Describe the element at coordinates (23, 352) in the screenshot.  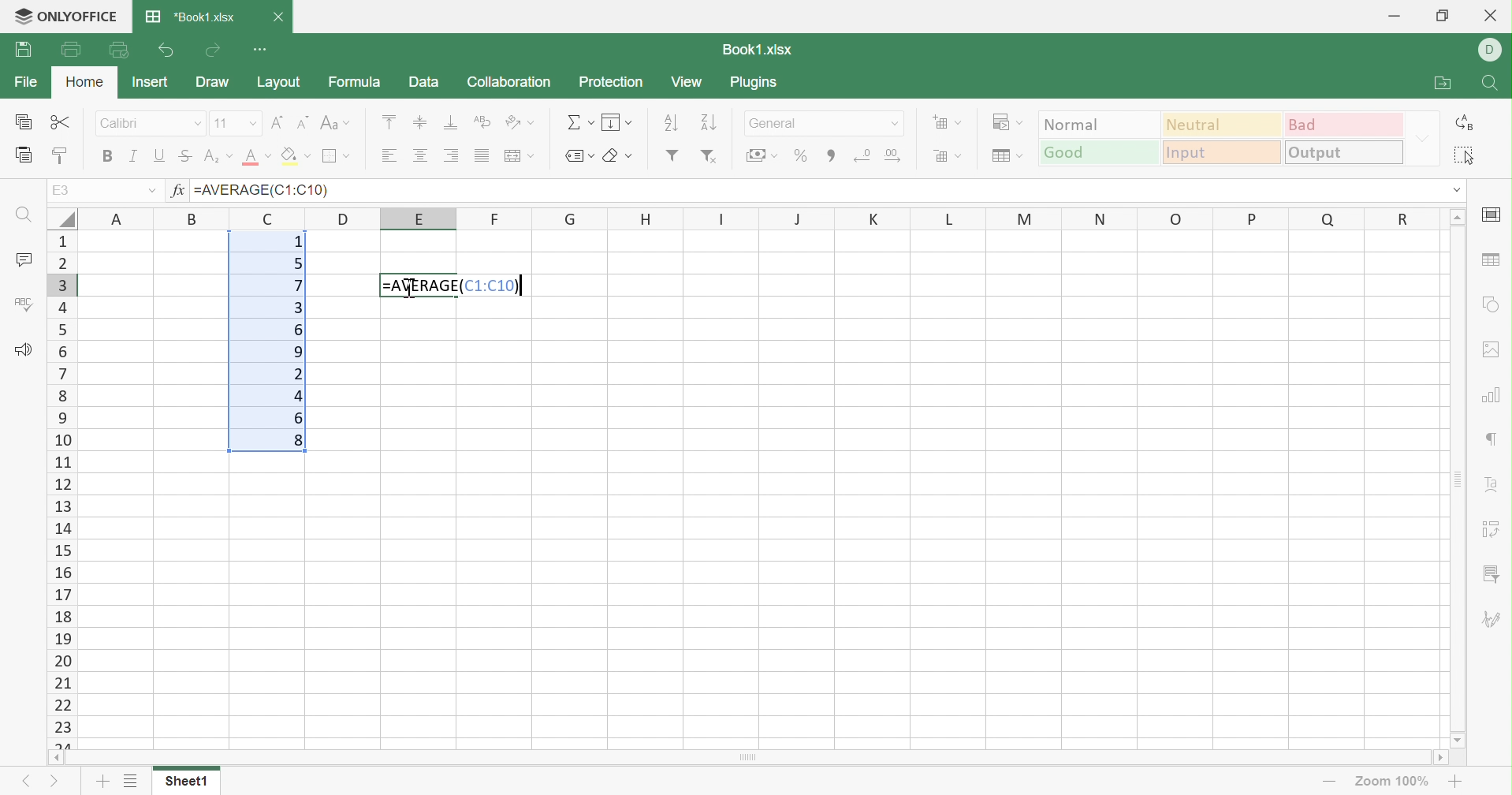
I see `Feedback & Support` at that location.